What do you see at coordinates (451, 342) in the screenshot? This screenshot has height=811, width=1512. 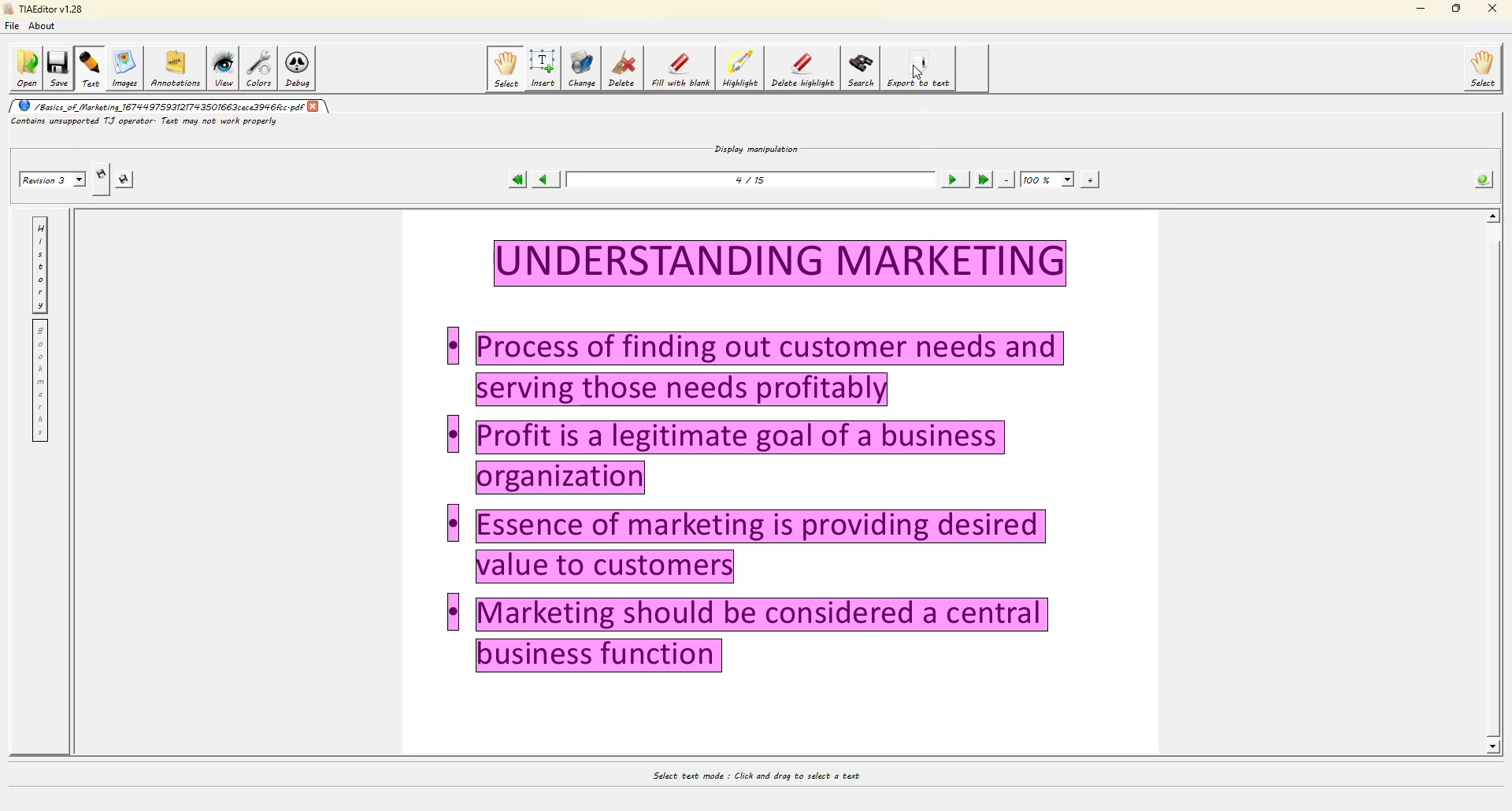 I see `` at bounding box center [451, 342].